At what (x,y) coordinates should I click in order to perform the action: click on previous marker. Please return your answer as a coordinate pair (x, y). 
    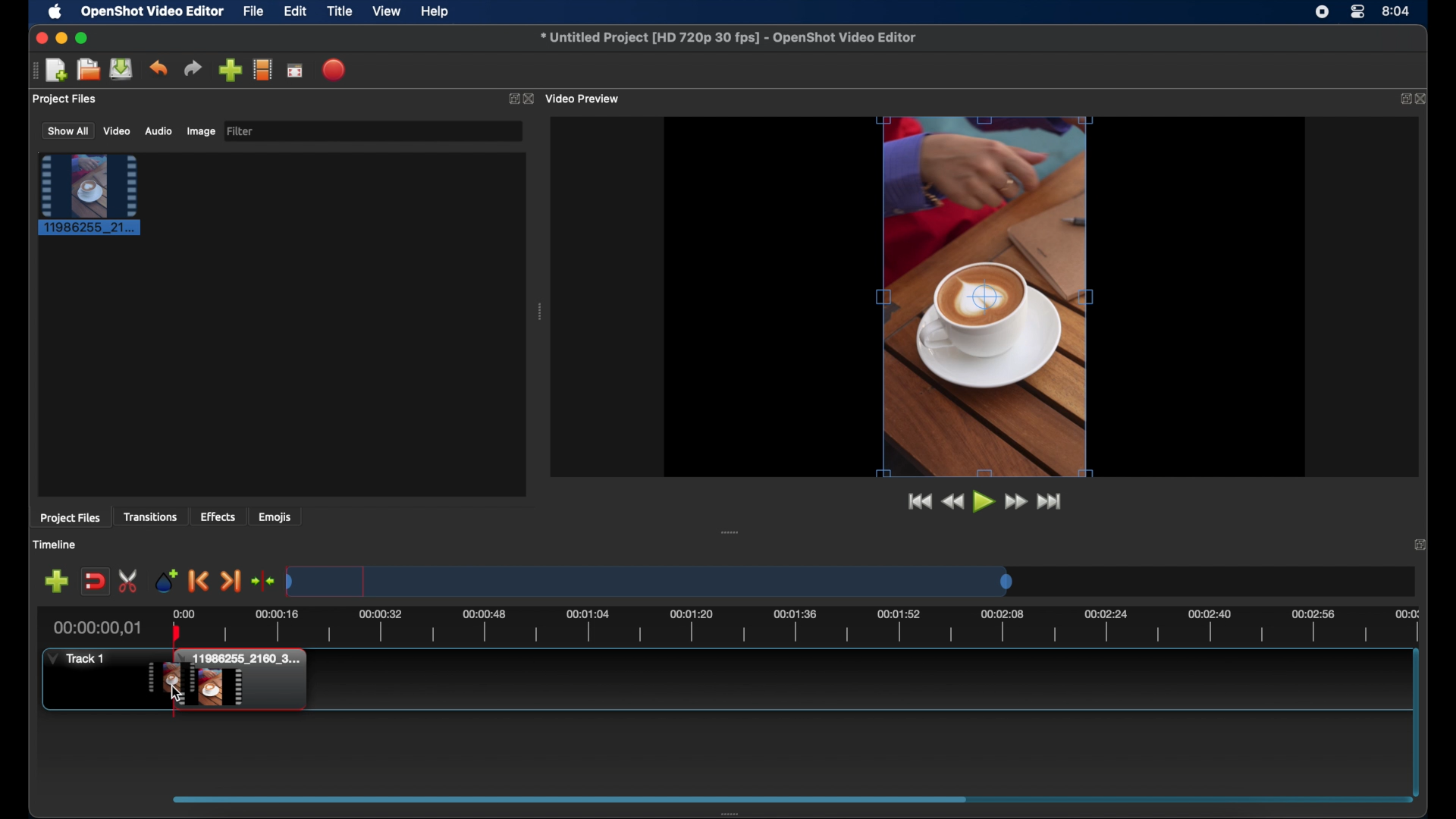
    Looking at the image, I should click on (199, 582).